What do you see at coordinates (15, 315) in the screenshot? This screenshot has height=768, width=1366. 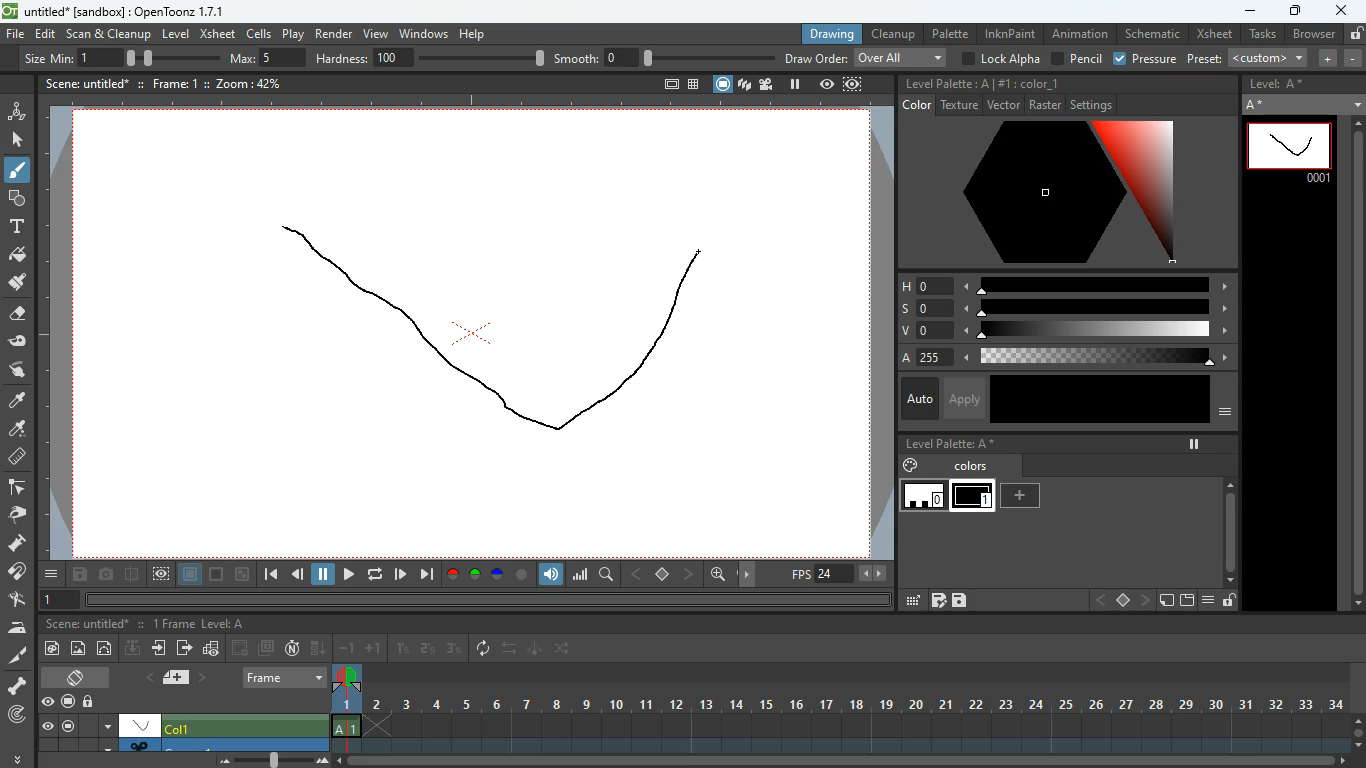 I see `erase` at bounding box center [15, 315].